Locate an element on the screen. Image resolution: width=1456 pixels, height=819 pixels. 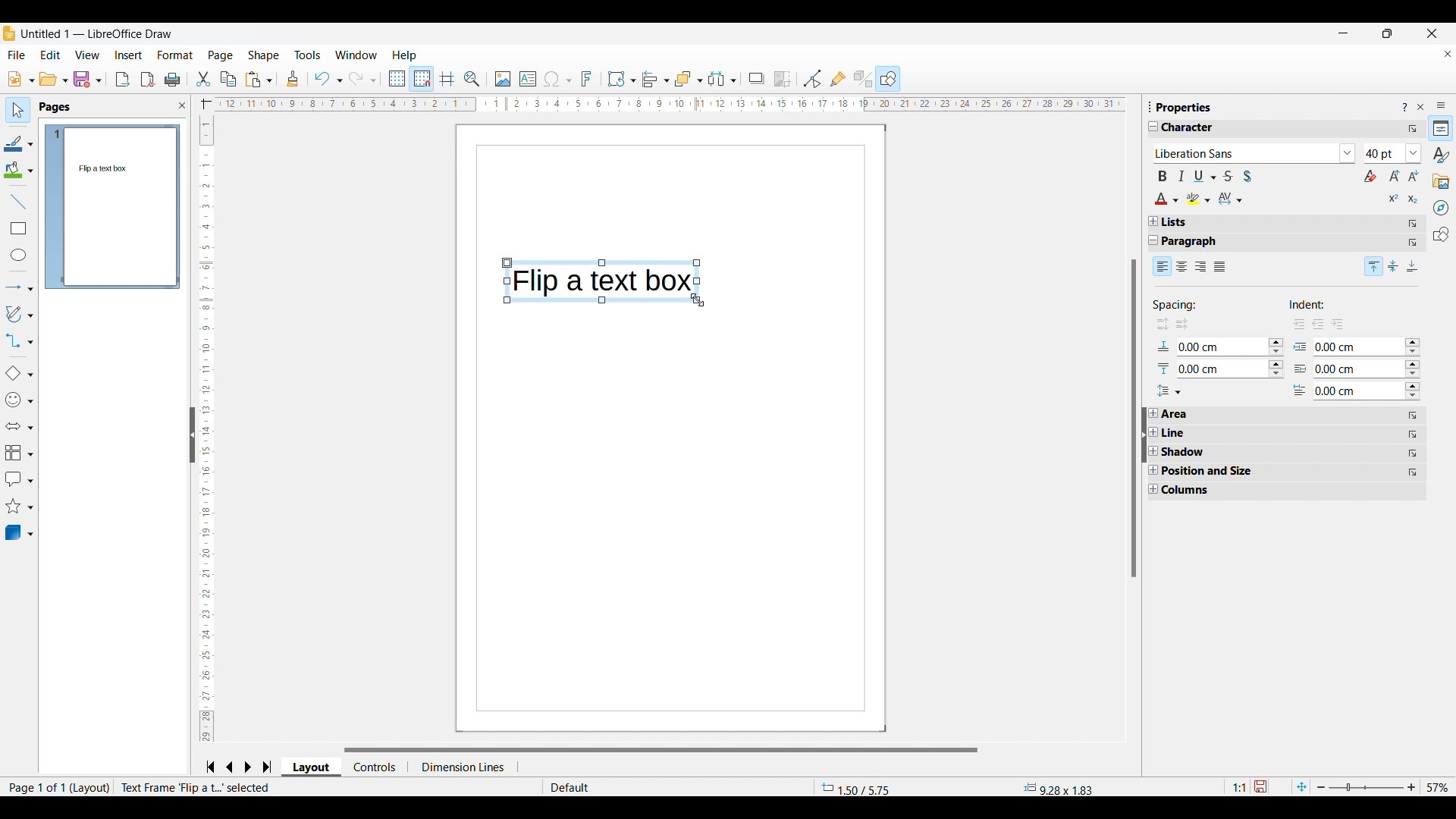
Default is located at coordinates (607, 787).